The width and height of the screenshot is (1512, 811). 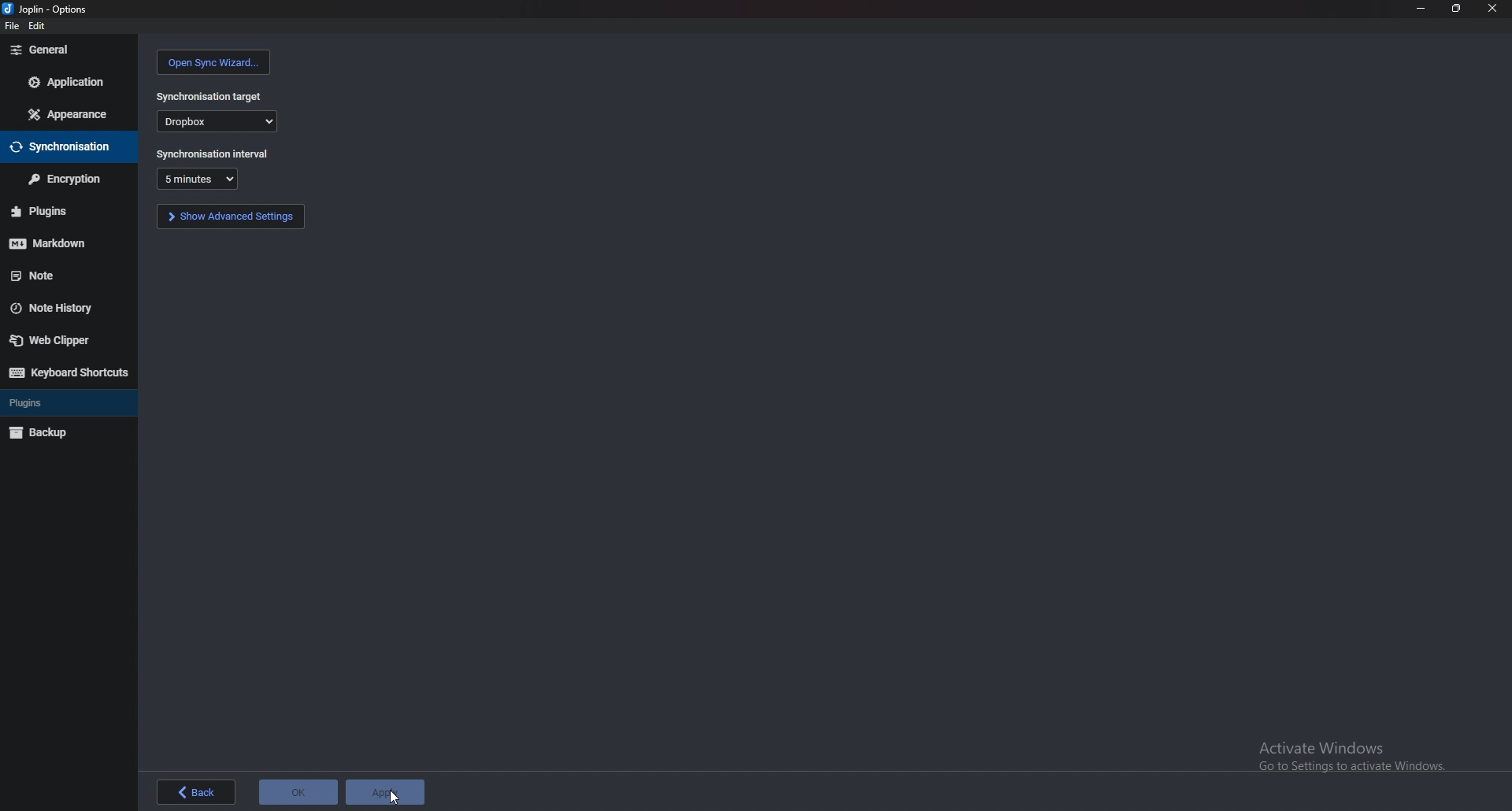 I want to click on duration, so click(x=195, y=180).